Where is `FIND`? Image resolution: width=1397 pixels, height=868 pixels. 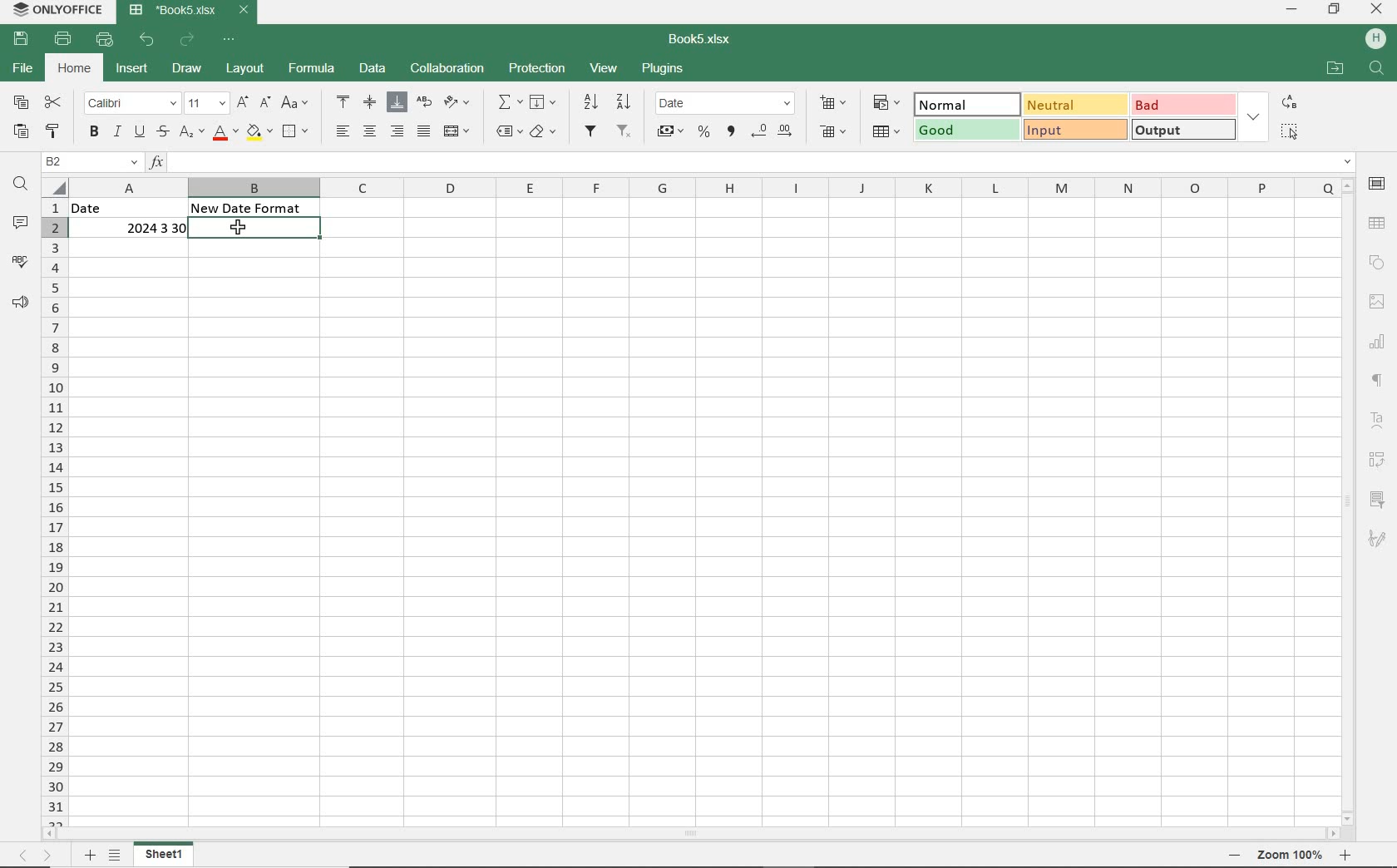
FIND is located at coordinates (22, 188).